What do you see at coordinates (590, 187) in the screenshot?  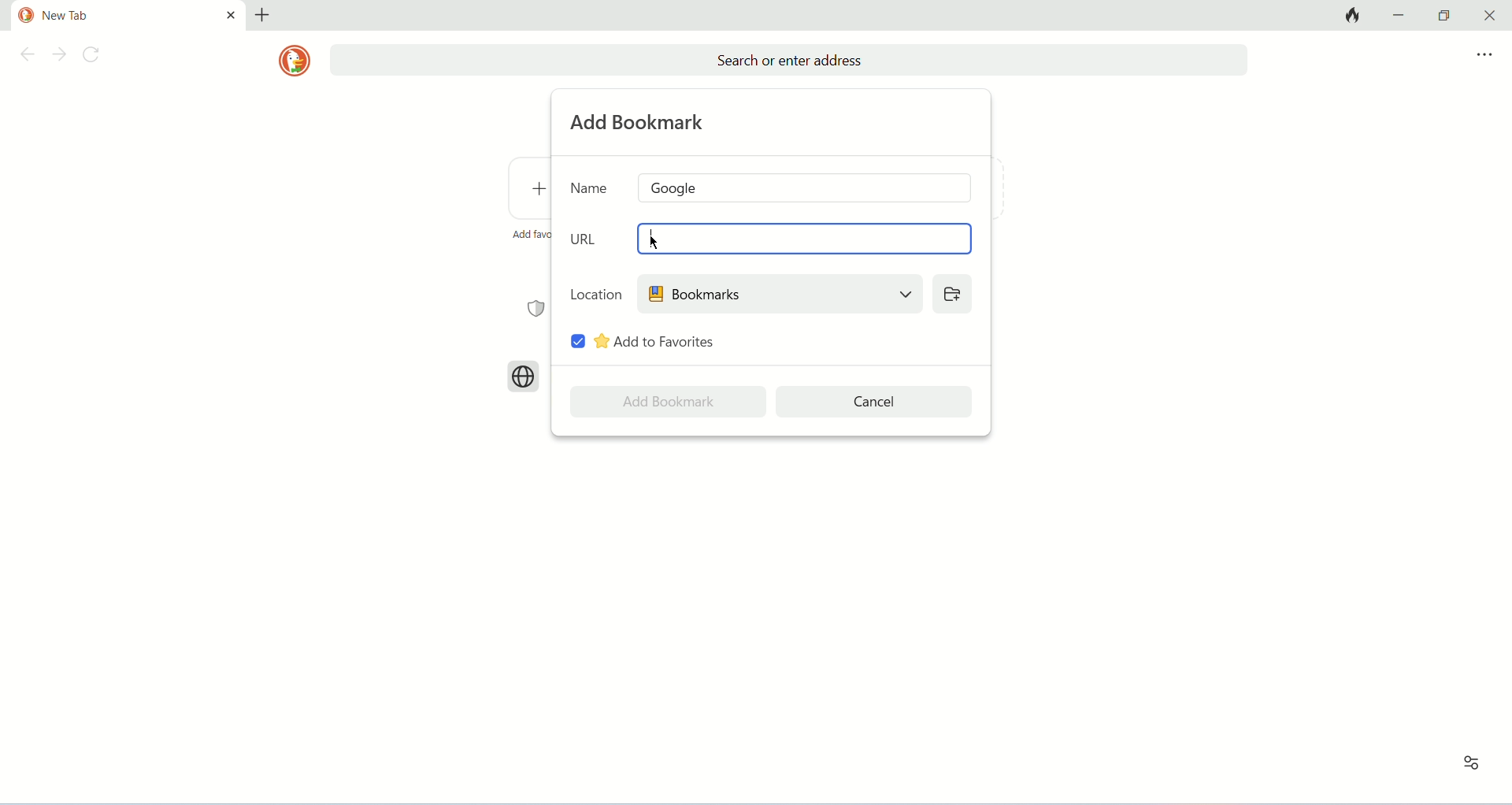 I see `NAME` at bounding box center [590, 187].